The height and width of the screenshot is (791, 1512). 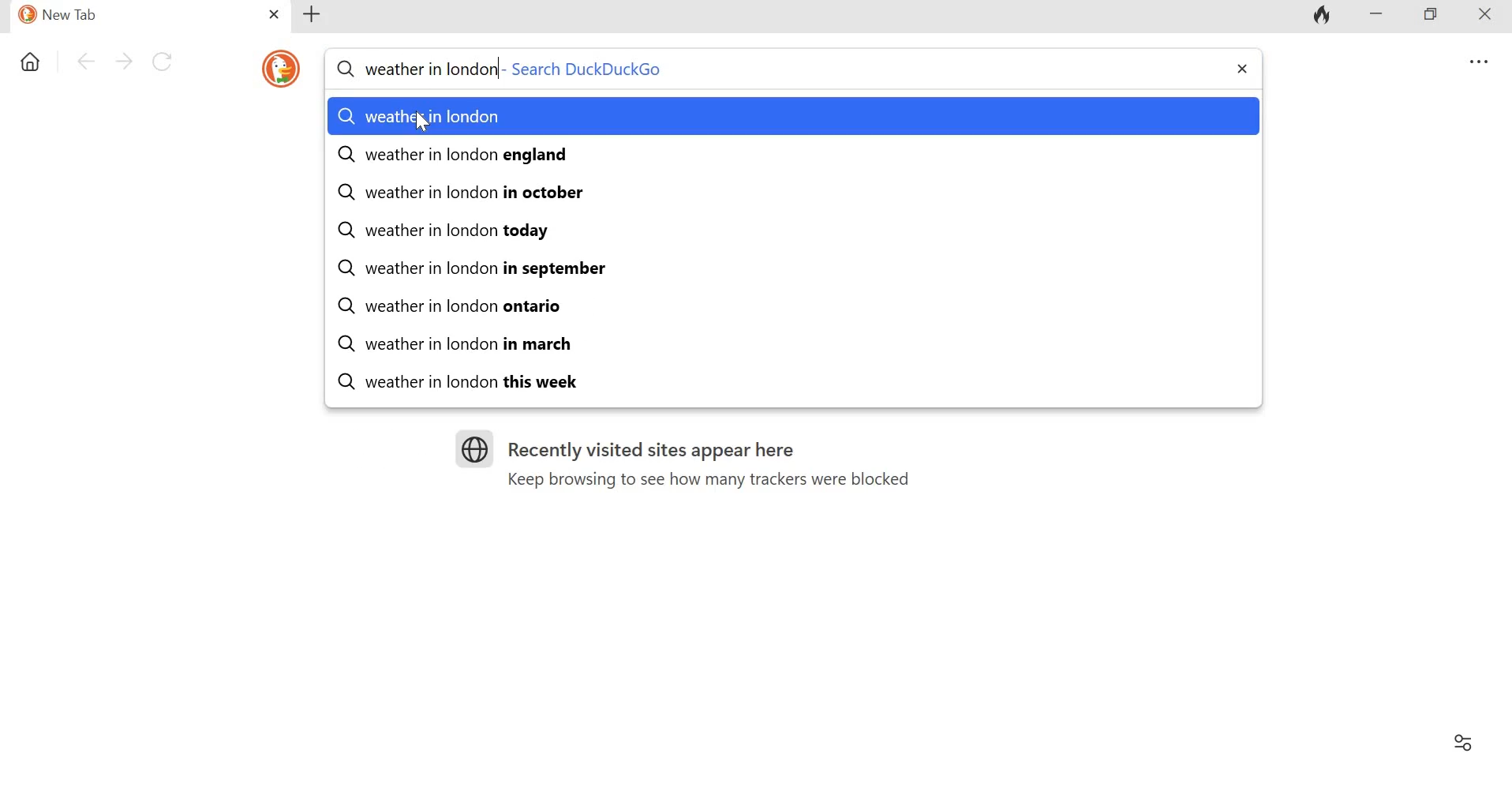 I want to click on Reload this page, so click(x=161, y=62).